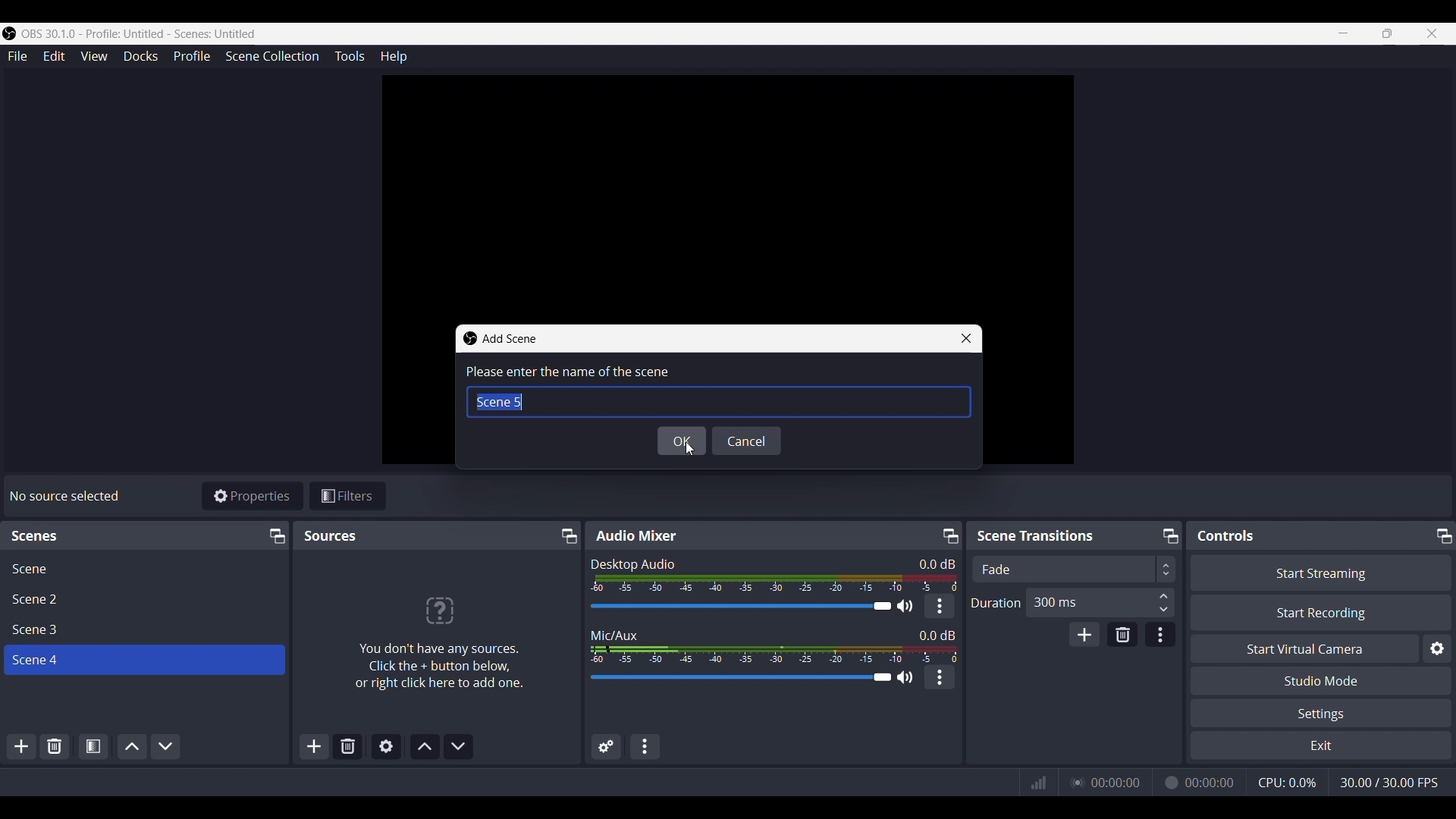 The height and width of the screenshot is (819, 1456). Describe the element at coordinates (682, 441) in the screenshot. I see `OK` at that location.